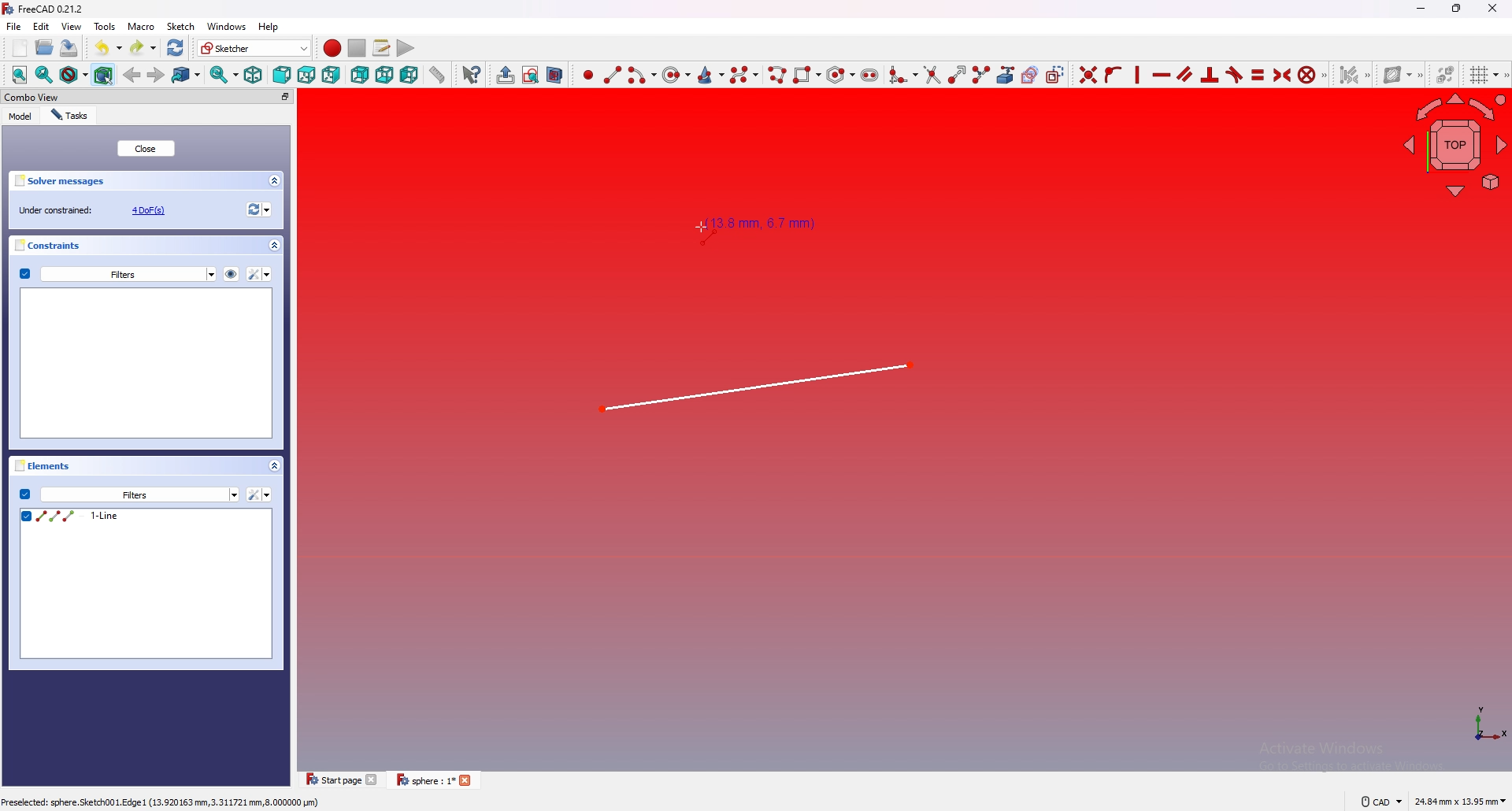 This screenshot has height=811, width=1512. I want to click on Create regular polygon, so click(839, 75).